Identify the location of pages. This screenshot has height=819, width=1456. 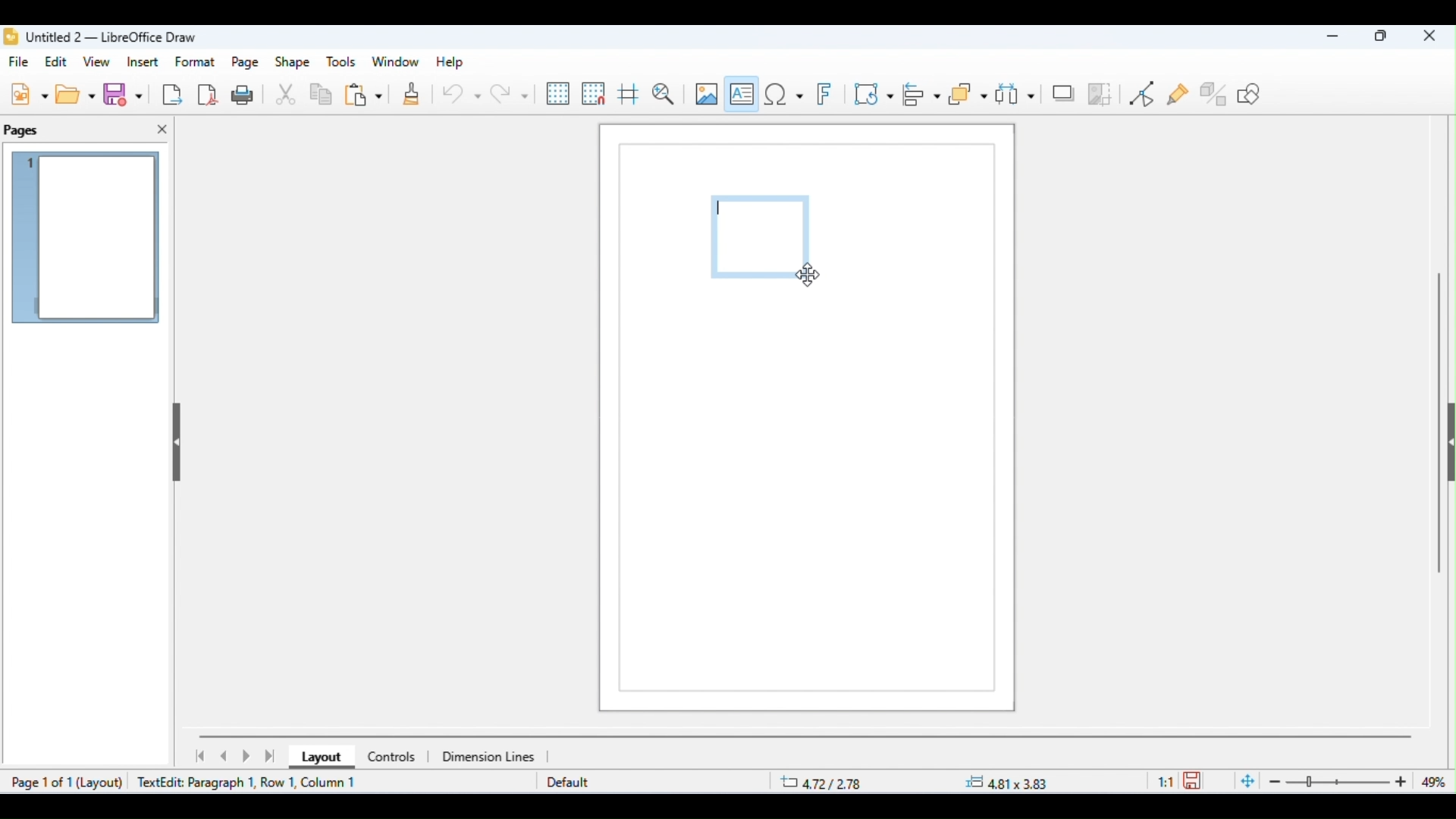
(23, 131).